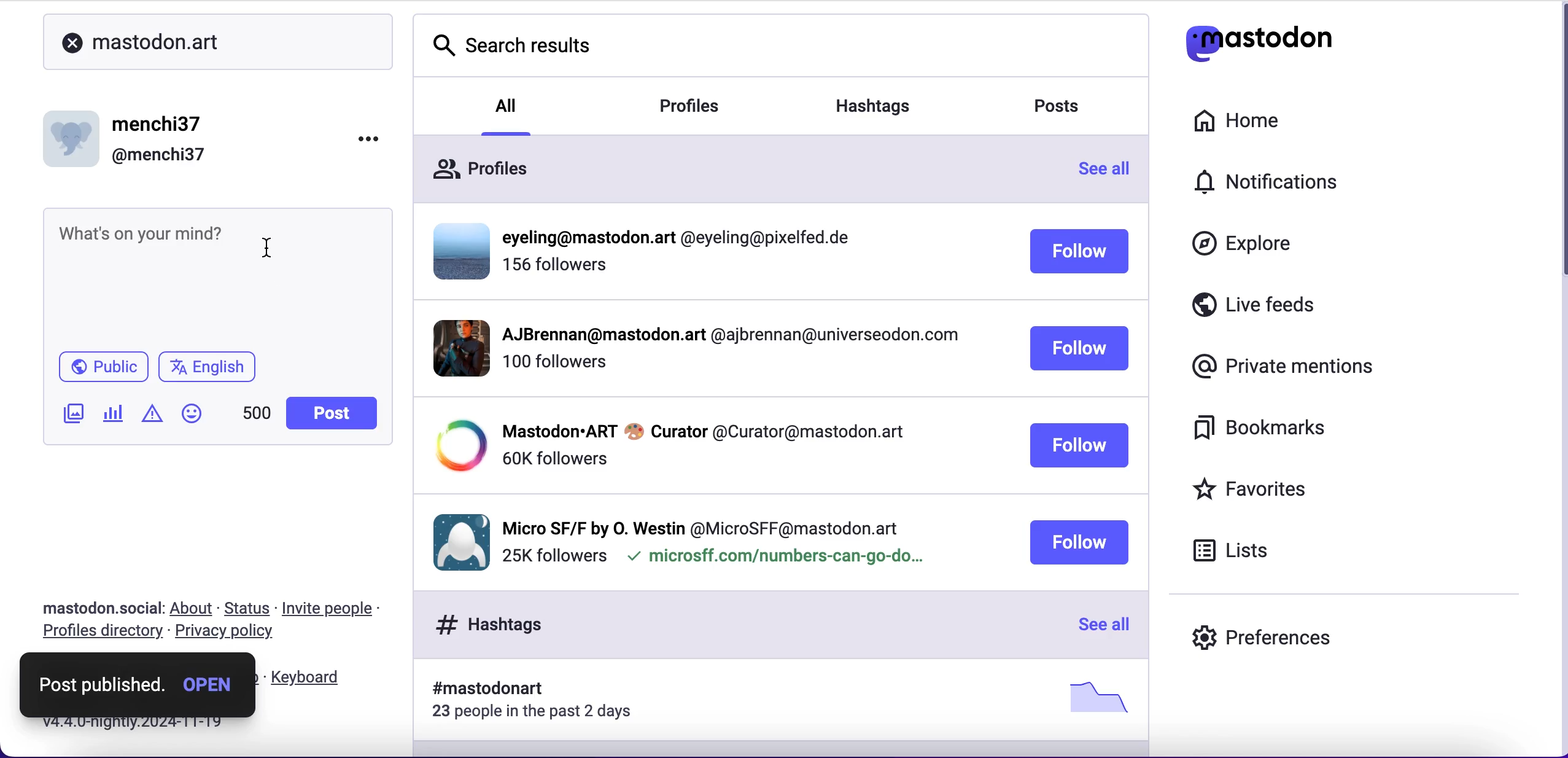 Image resolution: width=1568 pixels, height=758 pixels. I want to click on home, so click(1252, 122).